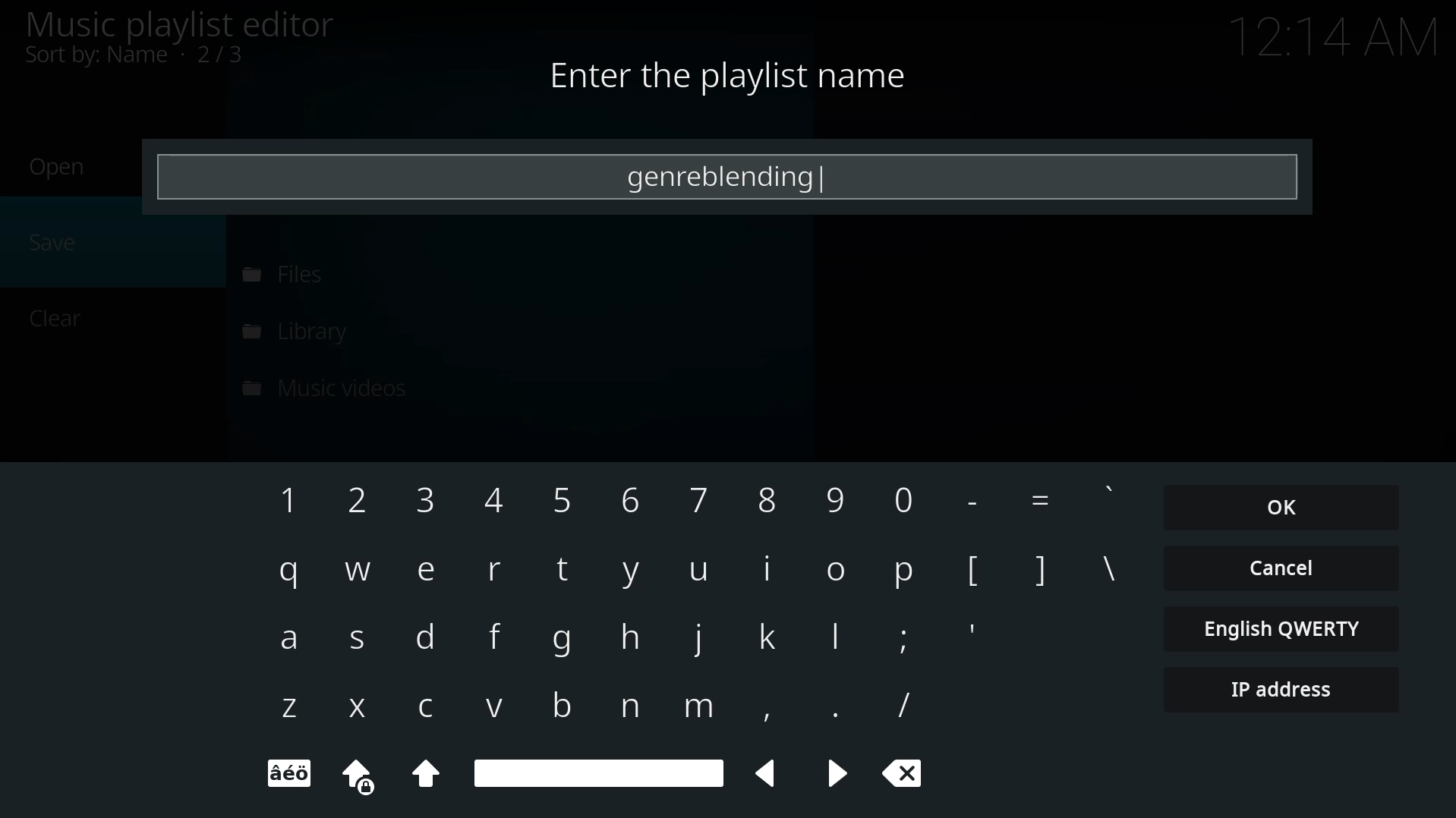  I want to click on ok, so click(1283, 507).